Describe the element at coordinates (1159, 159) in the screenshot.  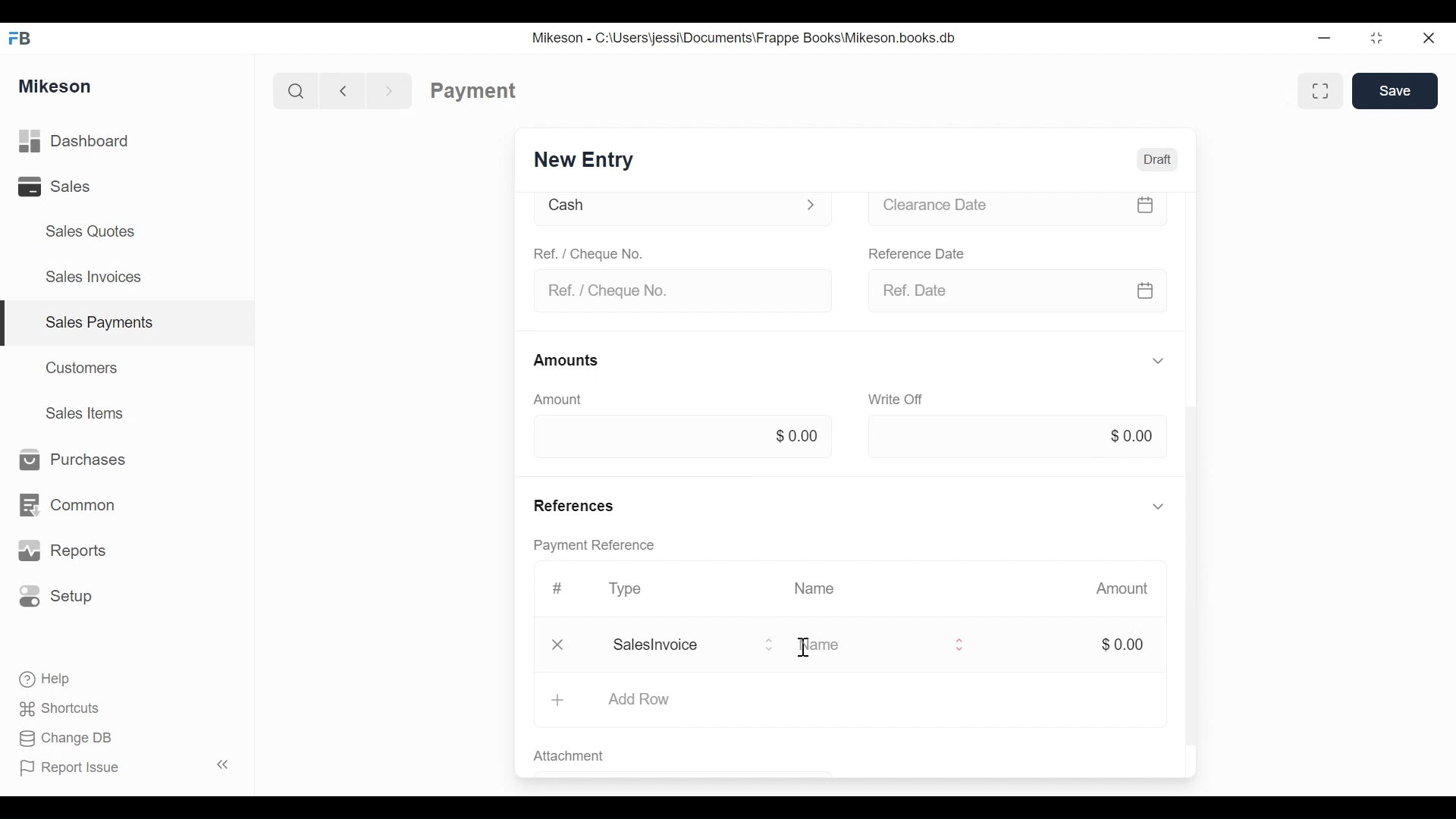
I see `Draft` at that location.